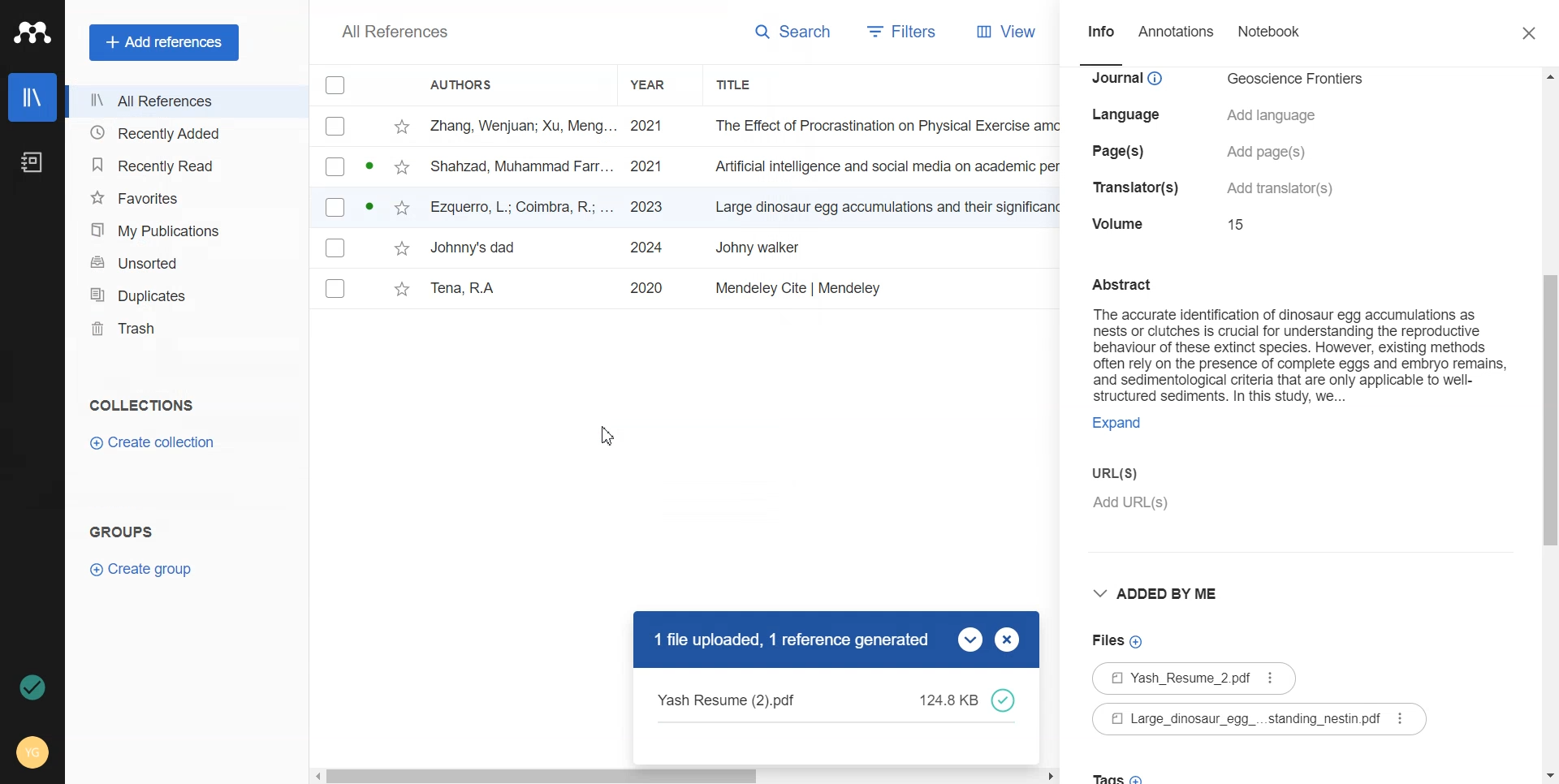 This screenshot has height=784, width=1559. What do you see at coordinates (335, 248) in the screenshot?
I see `Checkbox` at bounding box center [335, 248].